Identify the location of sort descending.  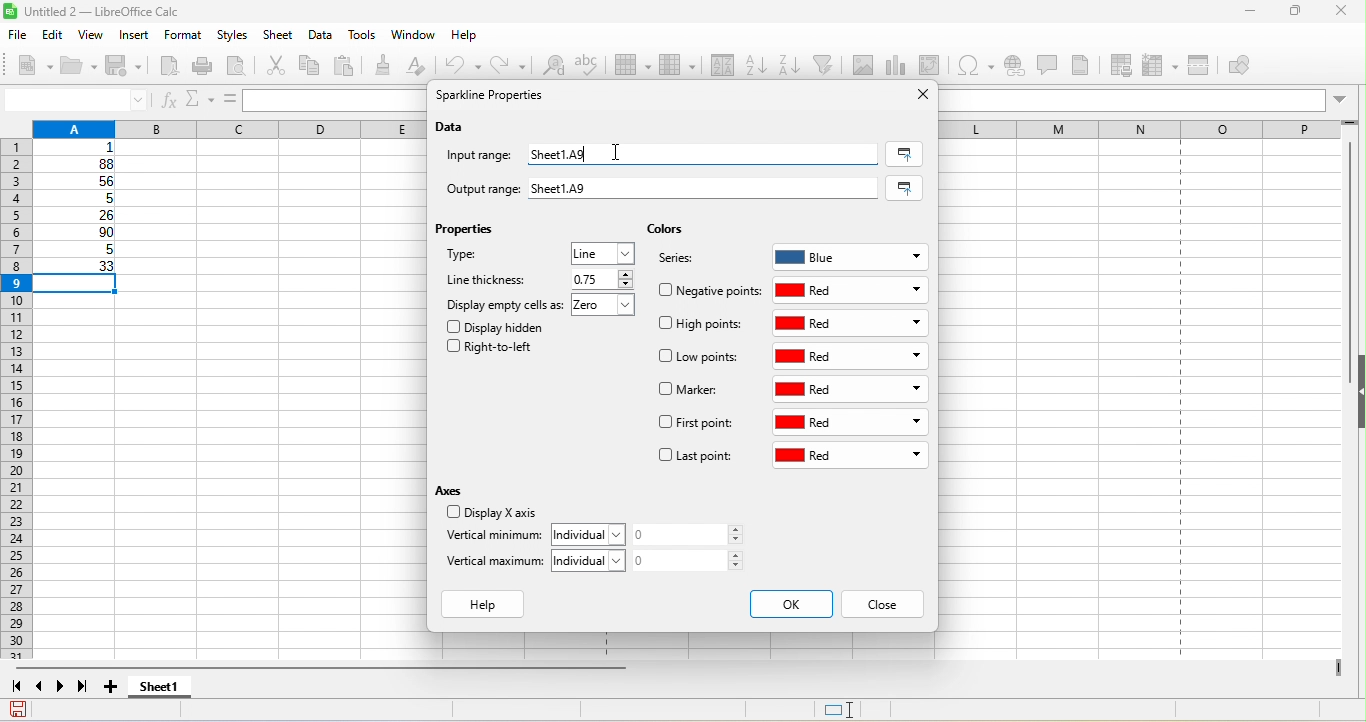
(794, 62).